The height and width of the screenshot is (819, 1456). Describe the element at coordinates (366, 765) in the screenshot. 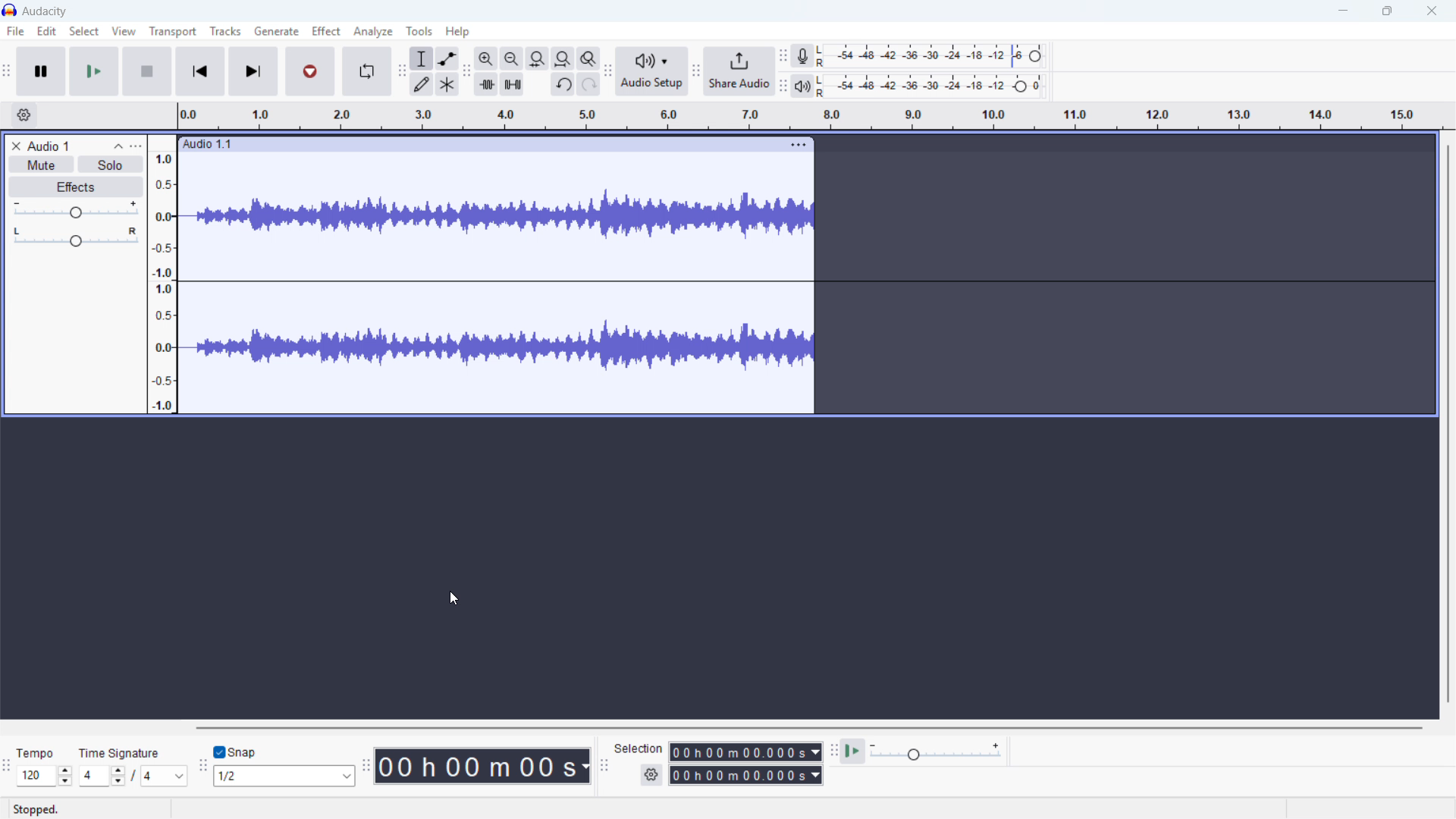

I see `Audacity time toolbar ` at that location.